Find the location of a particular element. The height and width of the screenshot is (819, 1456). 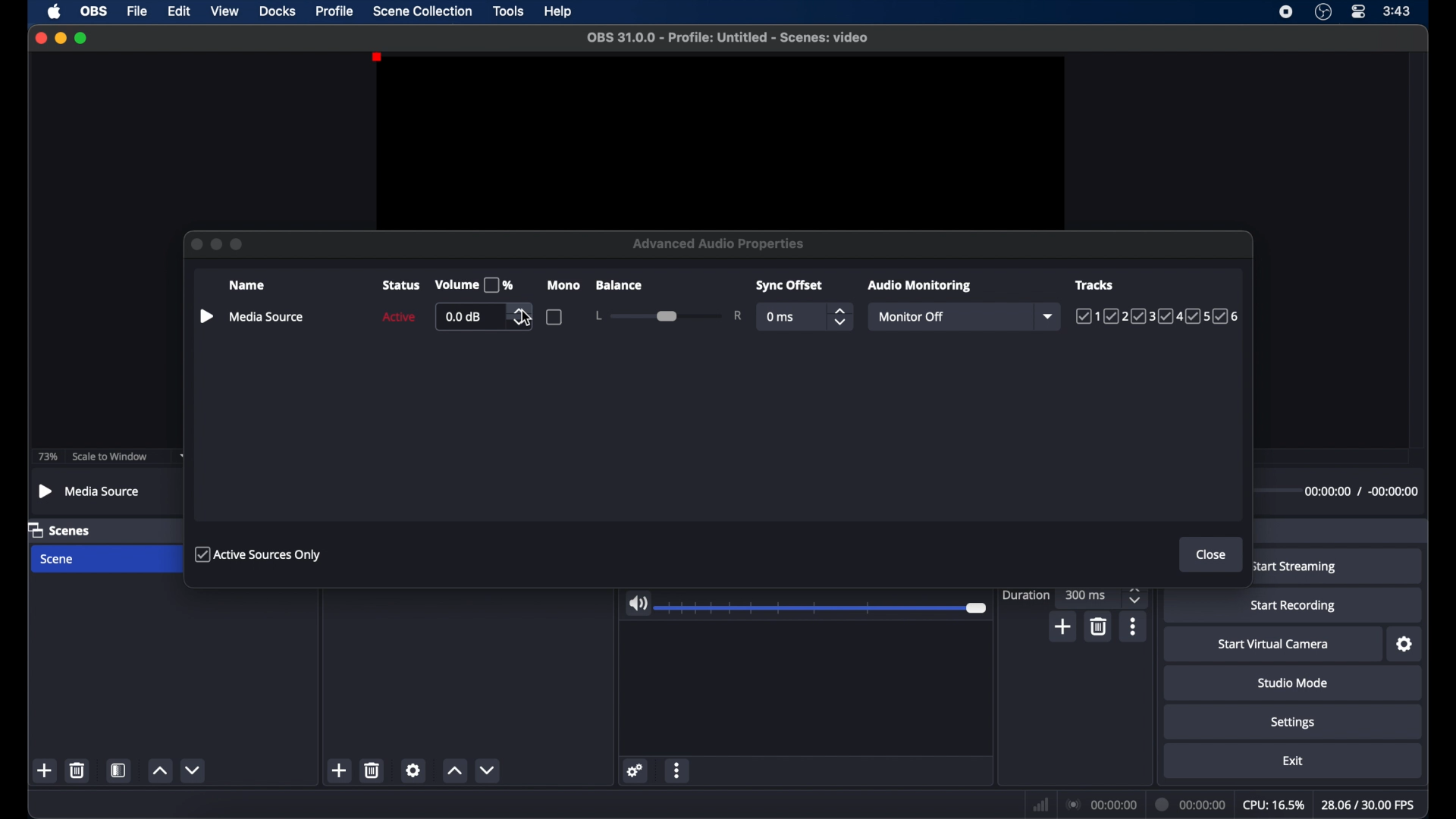

cpu: 16.5% is located at coordinates (1272, 805).